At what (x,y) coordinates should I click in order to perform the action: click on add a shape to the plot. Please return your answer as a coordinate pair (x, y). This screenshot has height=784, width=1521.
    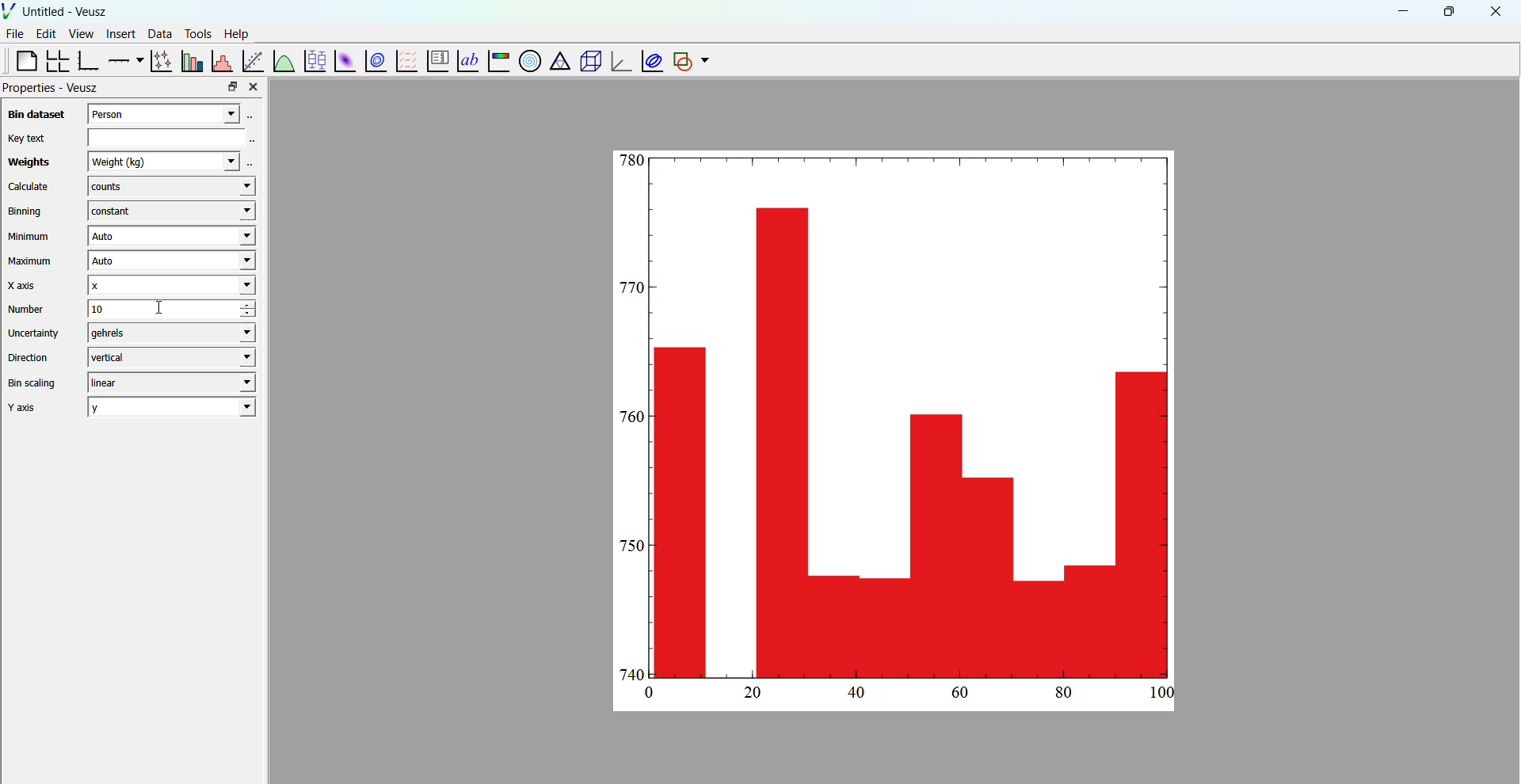
    Looking at the image, I should click on (681, 61).